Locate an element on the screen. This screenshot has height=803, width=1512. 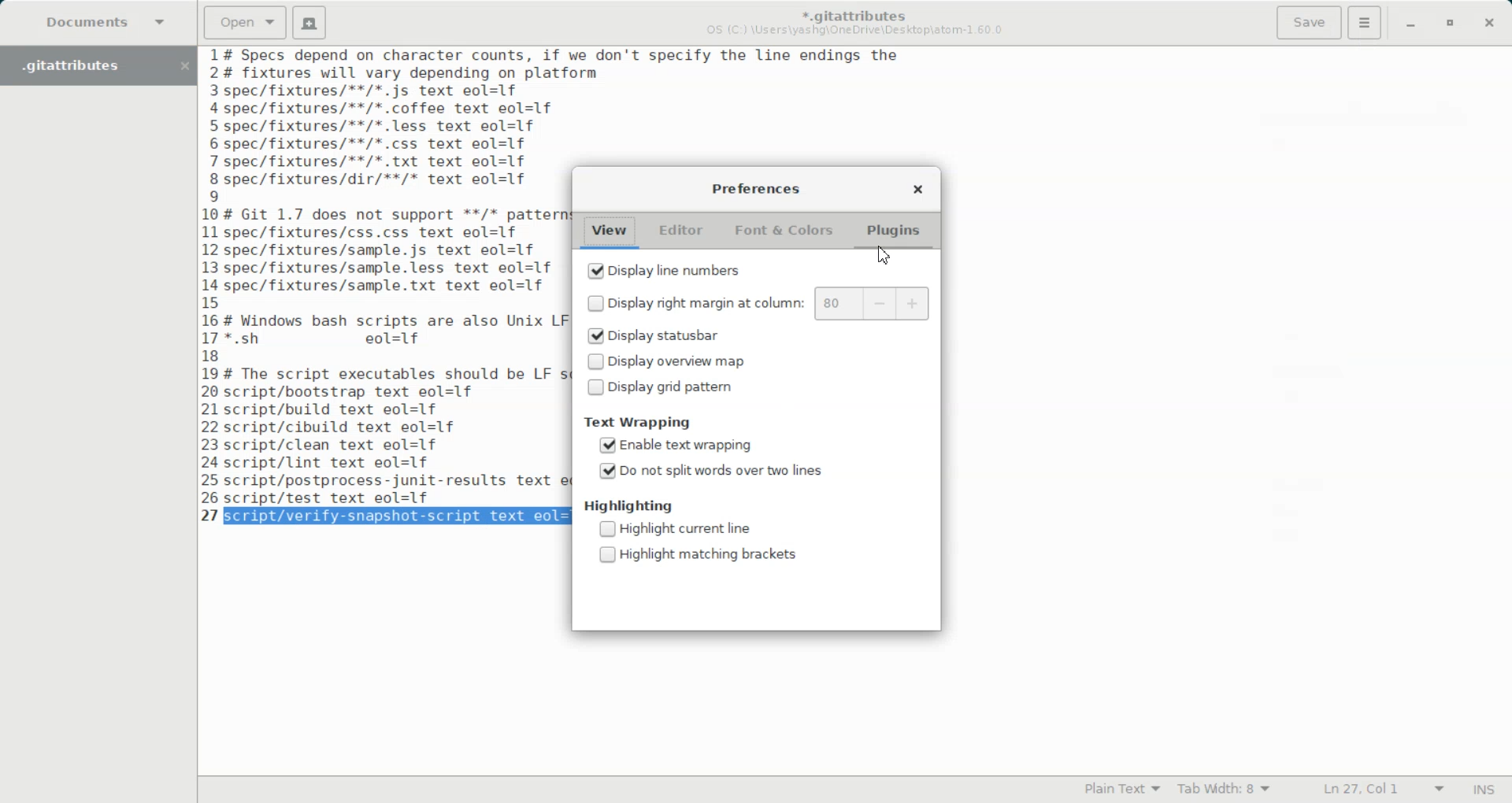
Create a new document is located at coordinates (310, 23).